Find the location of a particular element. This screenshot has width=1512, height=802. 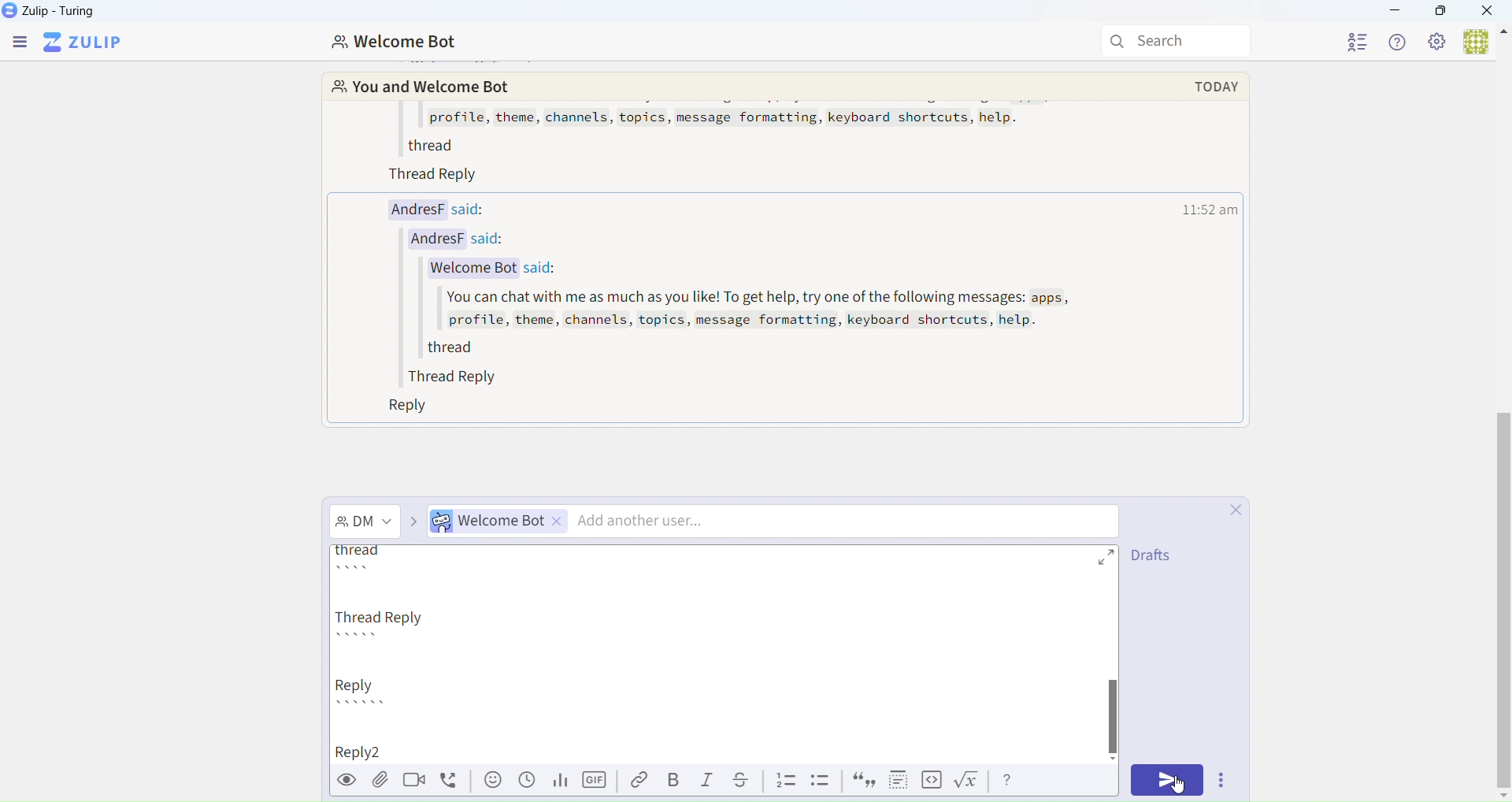

attachment is located at coordinates (380, 785).